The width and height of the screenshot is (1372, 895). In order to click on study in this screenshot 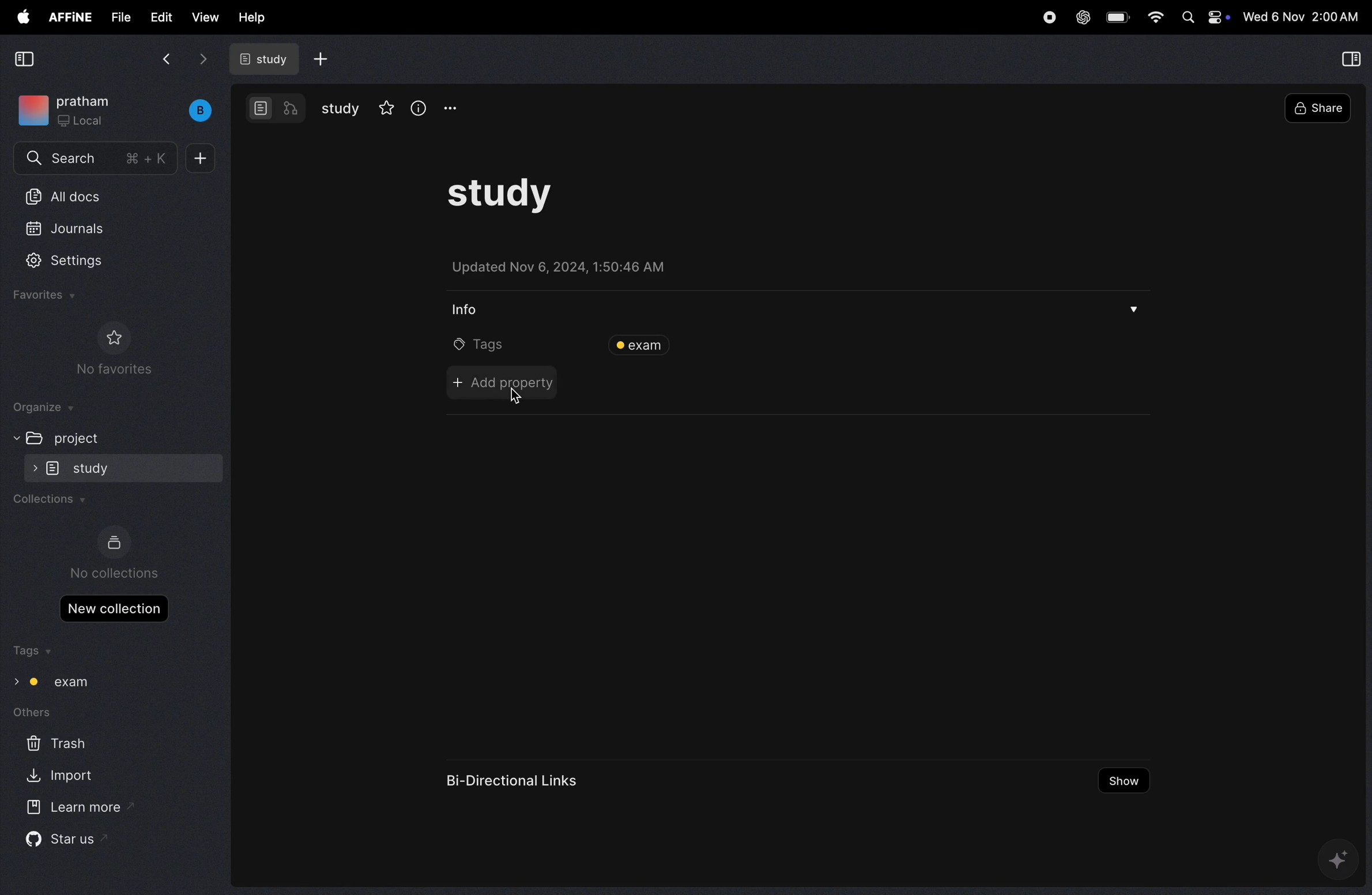, I will do `click(123, 467)`.